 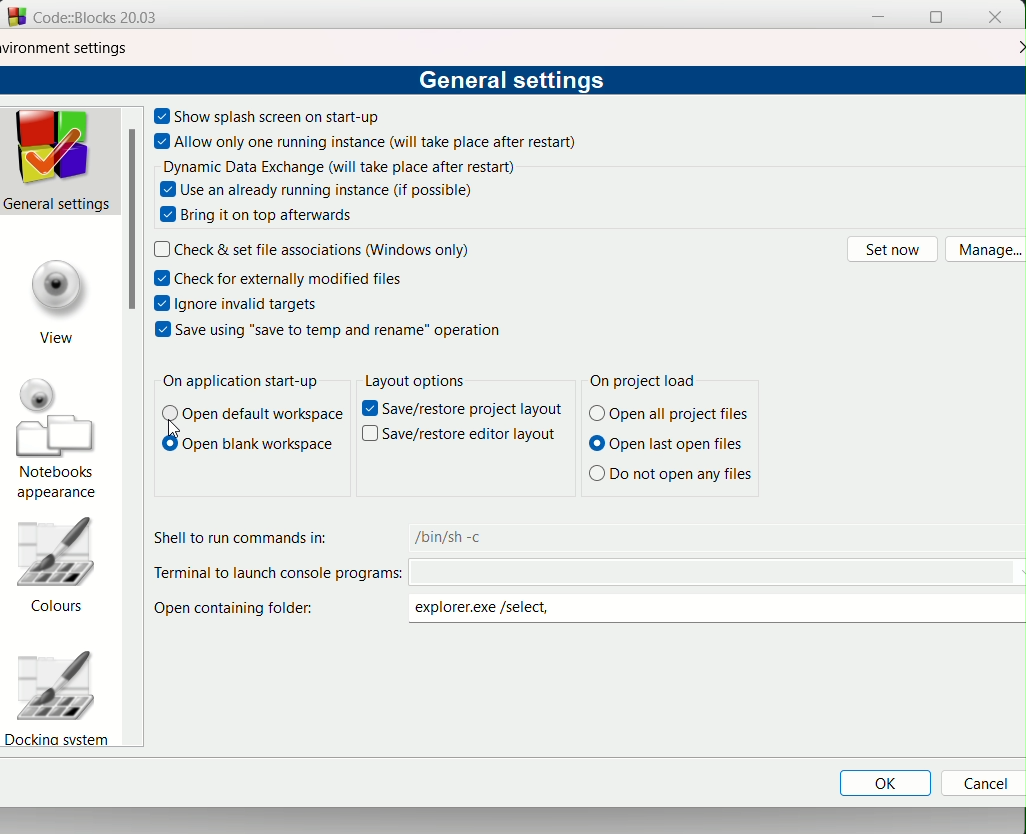 I want to click on text, so click(x=378, y=144).